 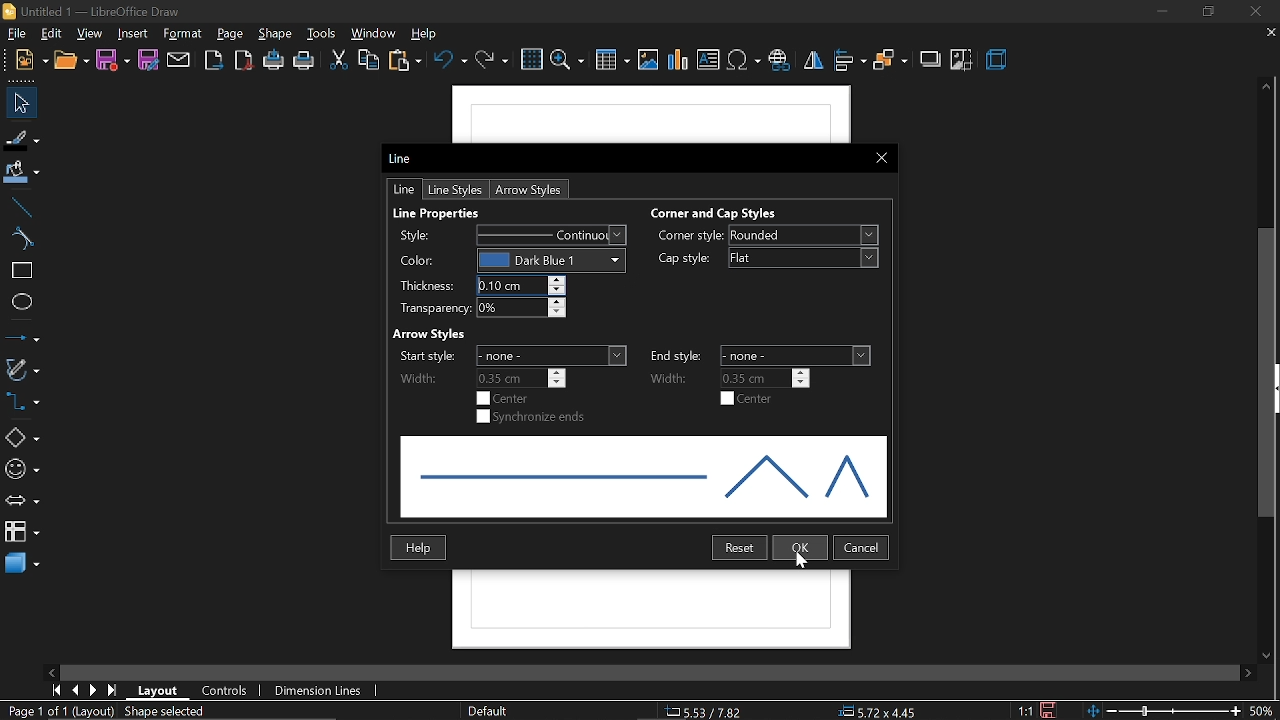 I want to click on cut , so click(x=338, y=62).